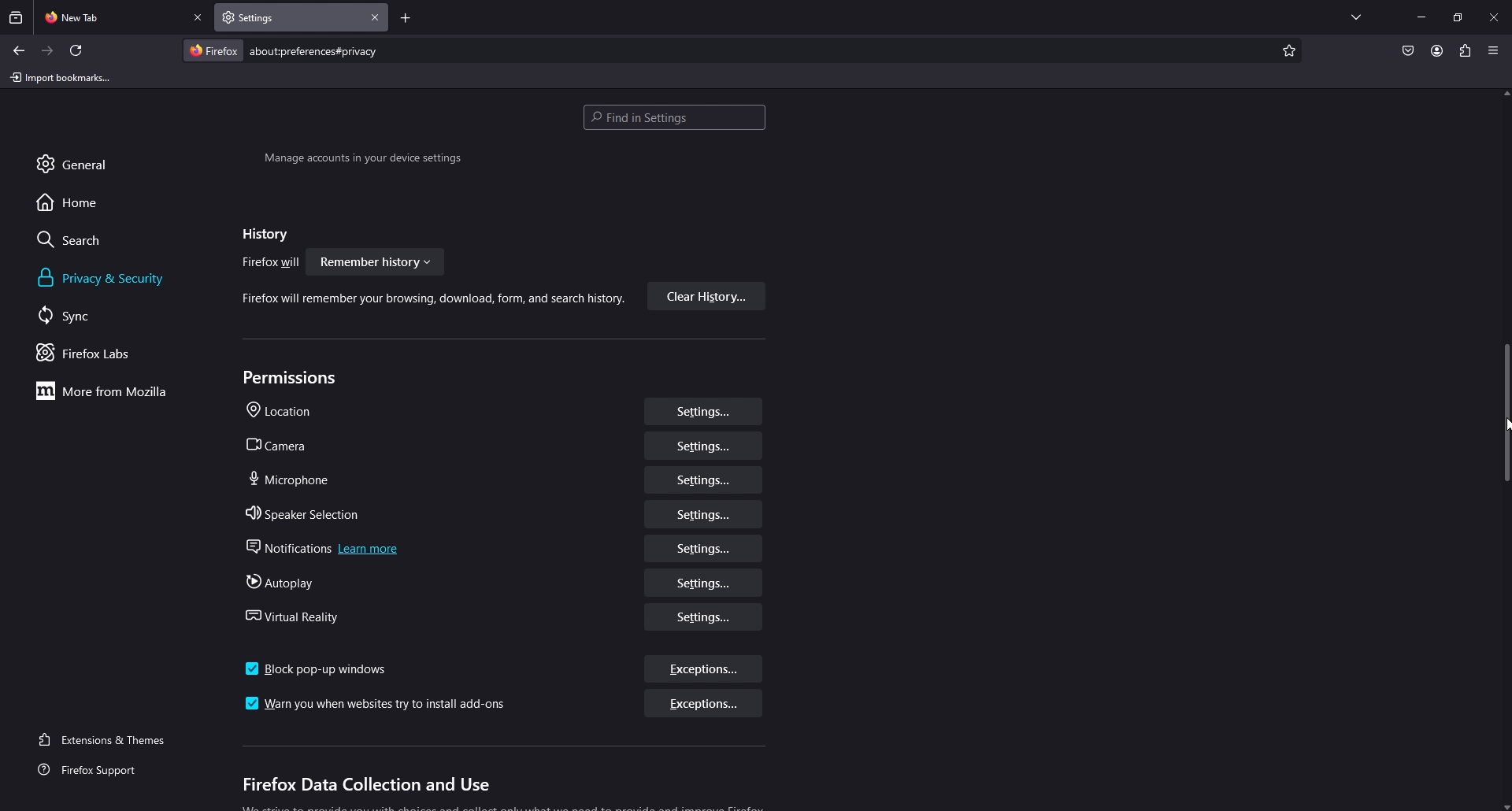 Image resolution: width=1512 pixels, height=811 pixels. I want to click on minimize, so click(1421, 16).